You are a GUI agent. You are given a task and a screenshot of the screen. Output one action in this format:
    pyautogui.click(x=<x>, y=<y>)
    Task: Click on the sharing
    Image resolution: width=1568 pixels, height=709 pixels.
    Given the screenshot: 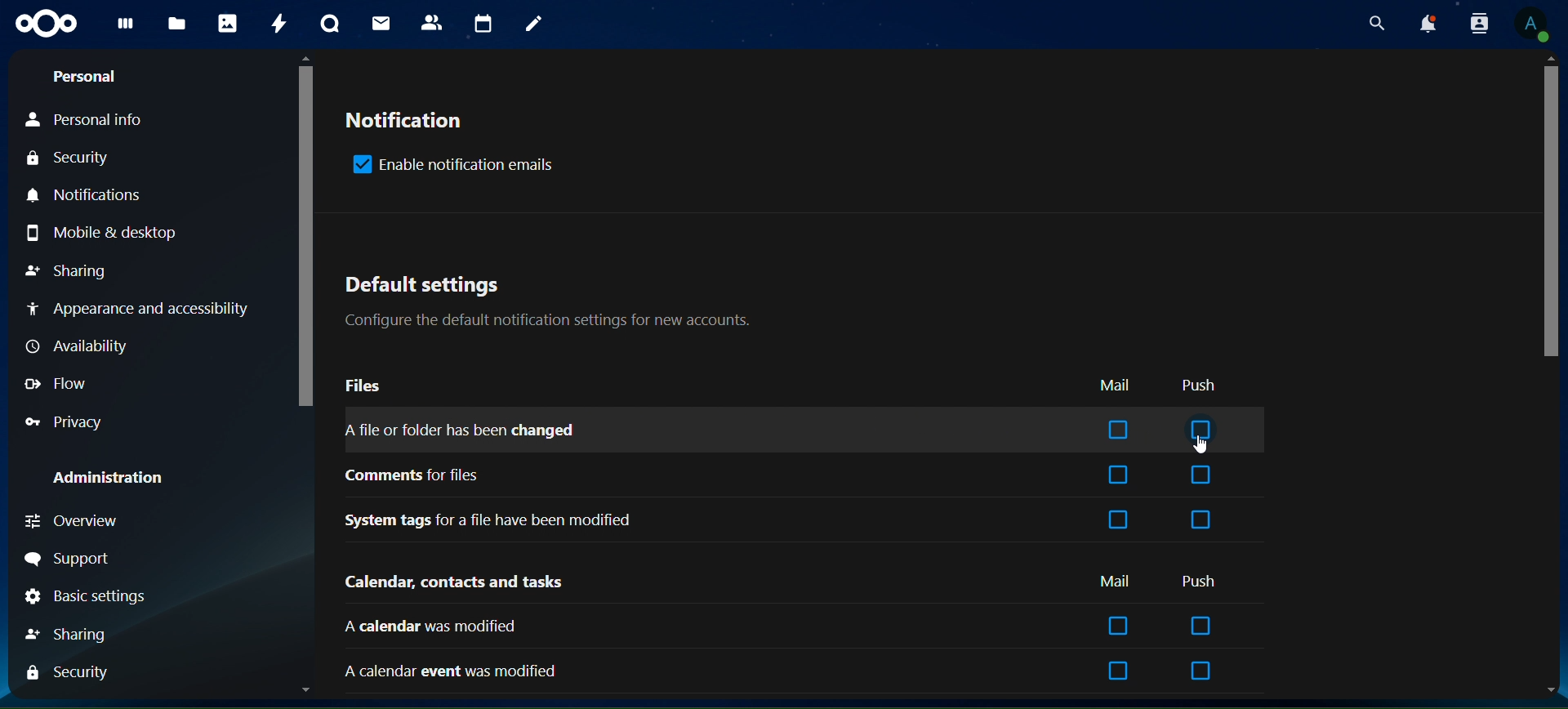 What is the action you would take?
    pyautogui.click(x=68, y=270)
    